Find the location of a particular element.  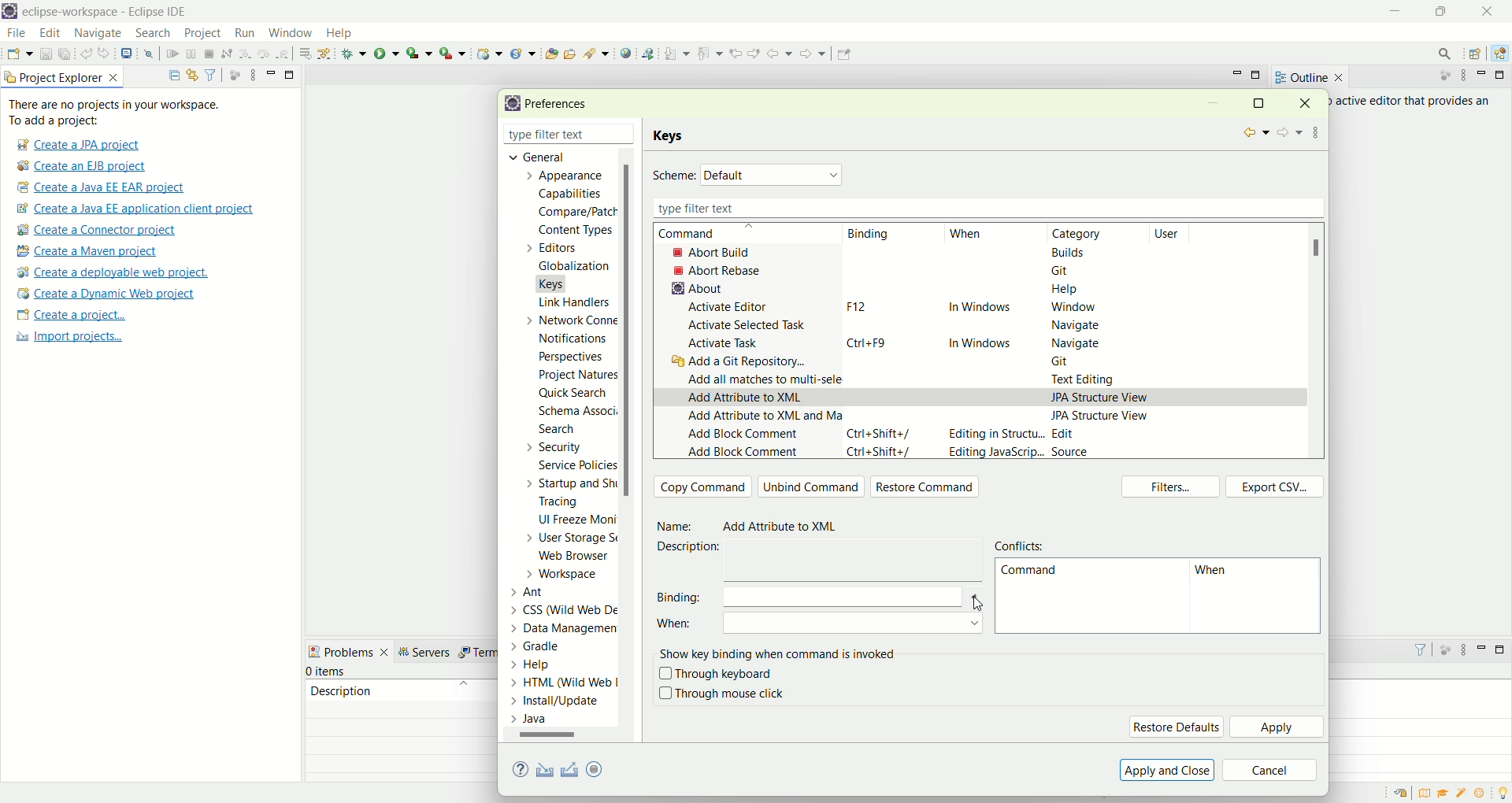

JPA structure view is located at coordinates (1100, 396).